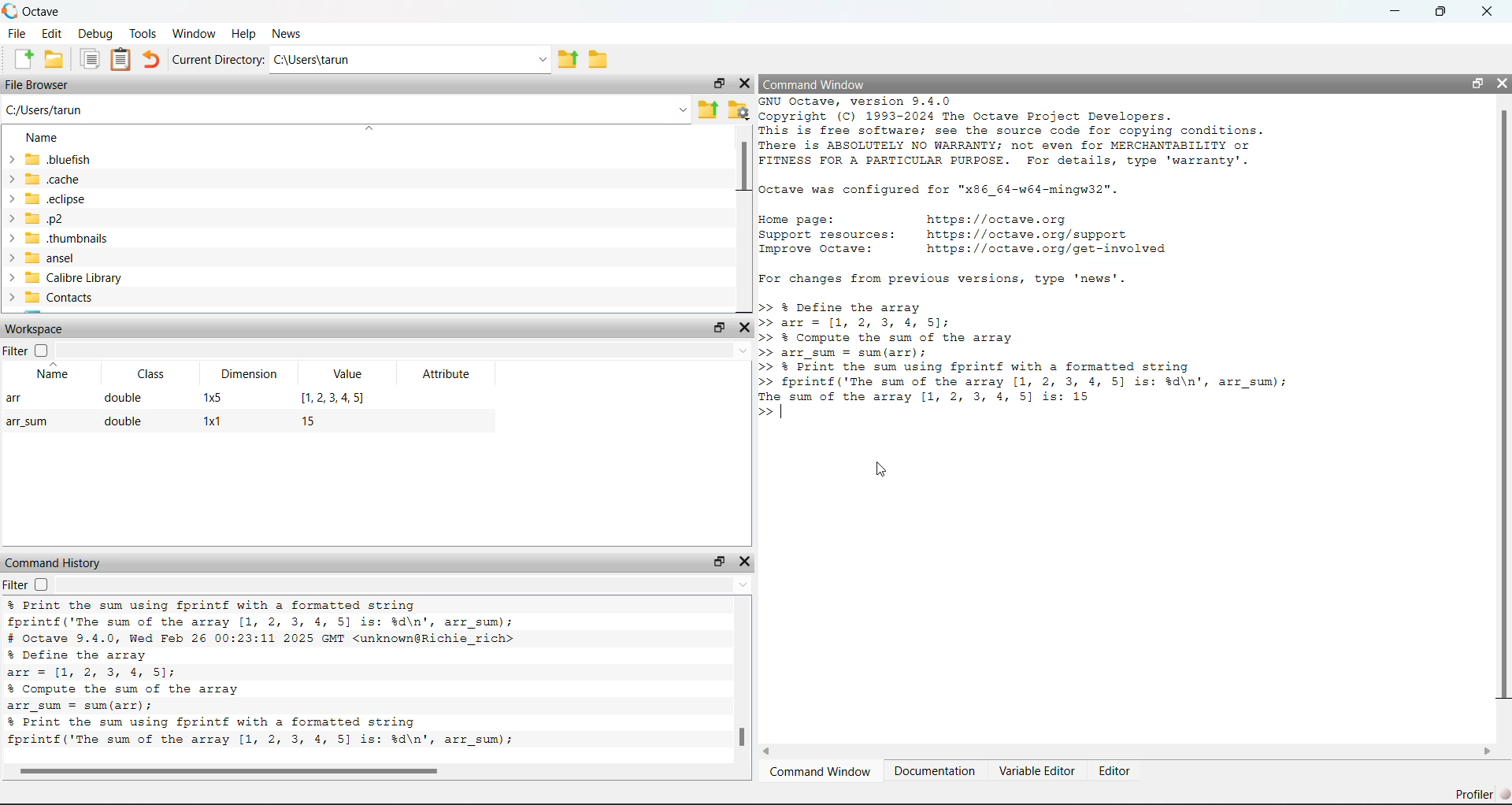 The image size is (1512, 805). Describe the element at coordinates (1474, 84) in the screenshot. I see `Maximize` at that location.